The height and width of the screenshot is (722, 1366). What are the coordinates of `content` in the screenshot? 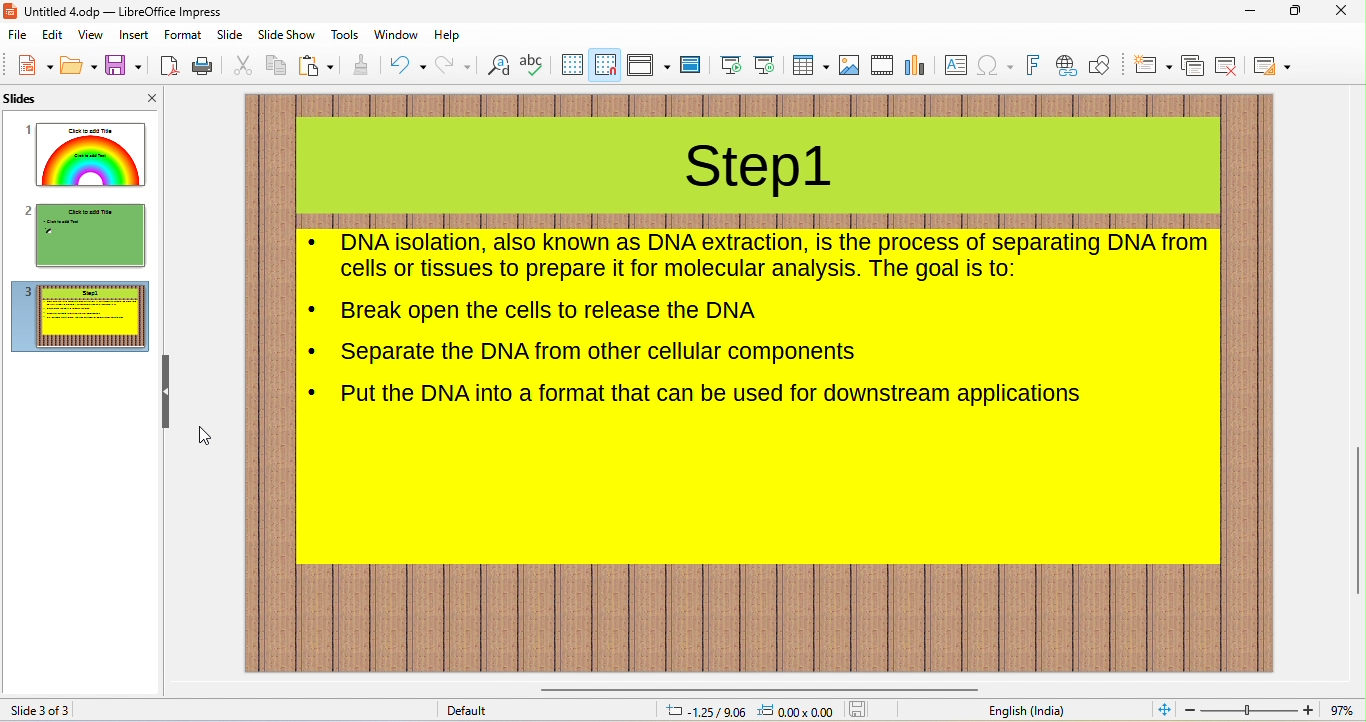 It's located at (551, 311).